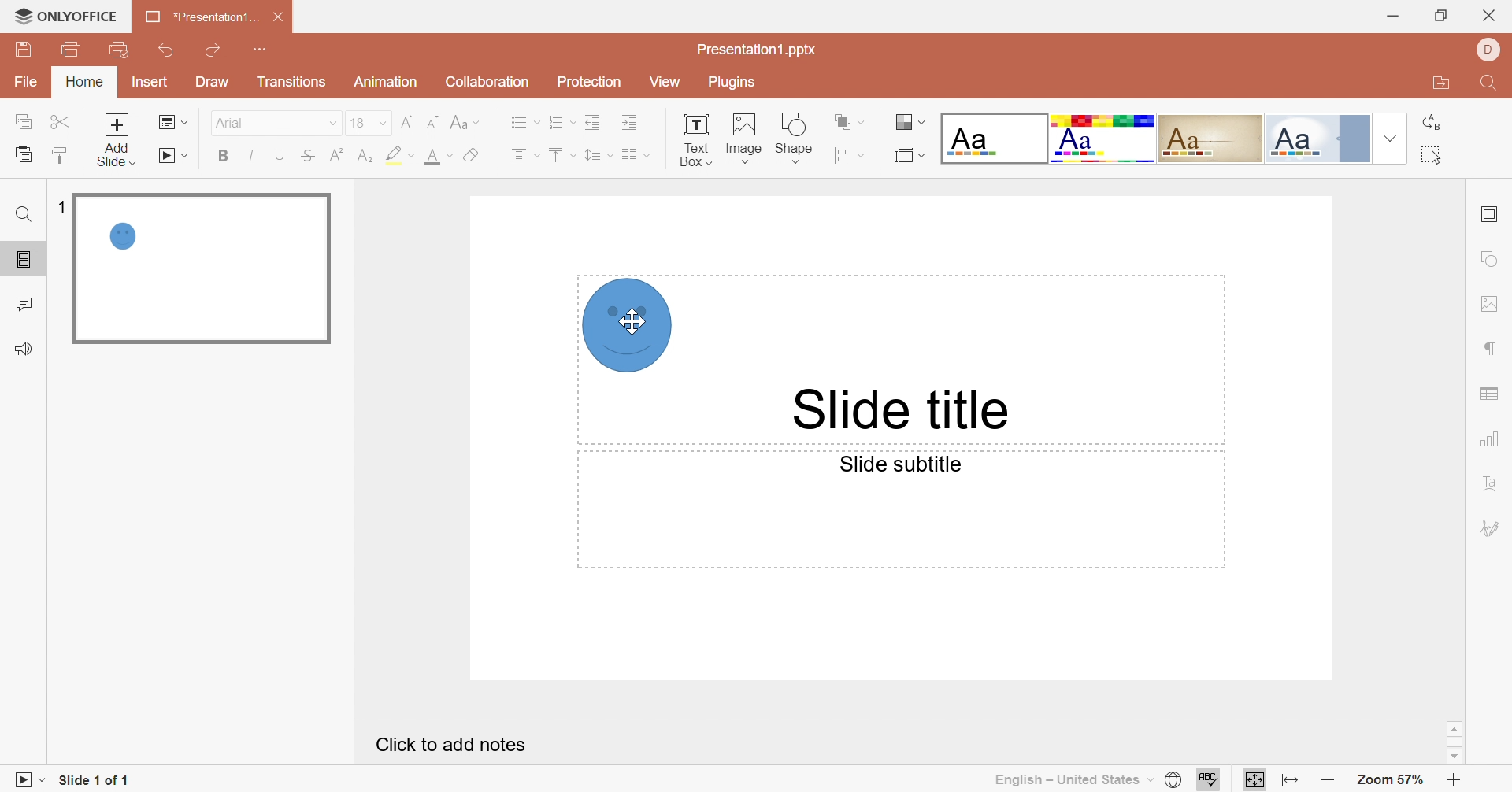  I want to click on Save, so click(22, 50).